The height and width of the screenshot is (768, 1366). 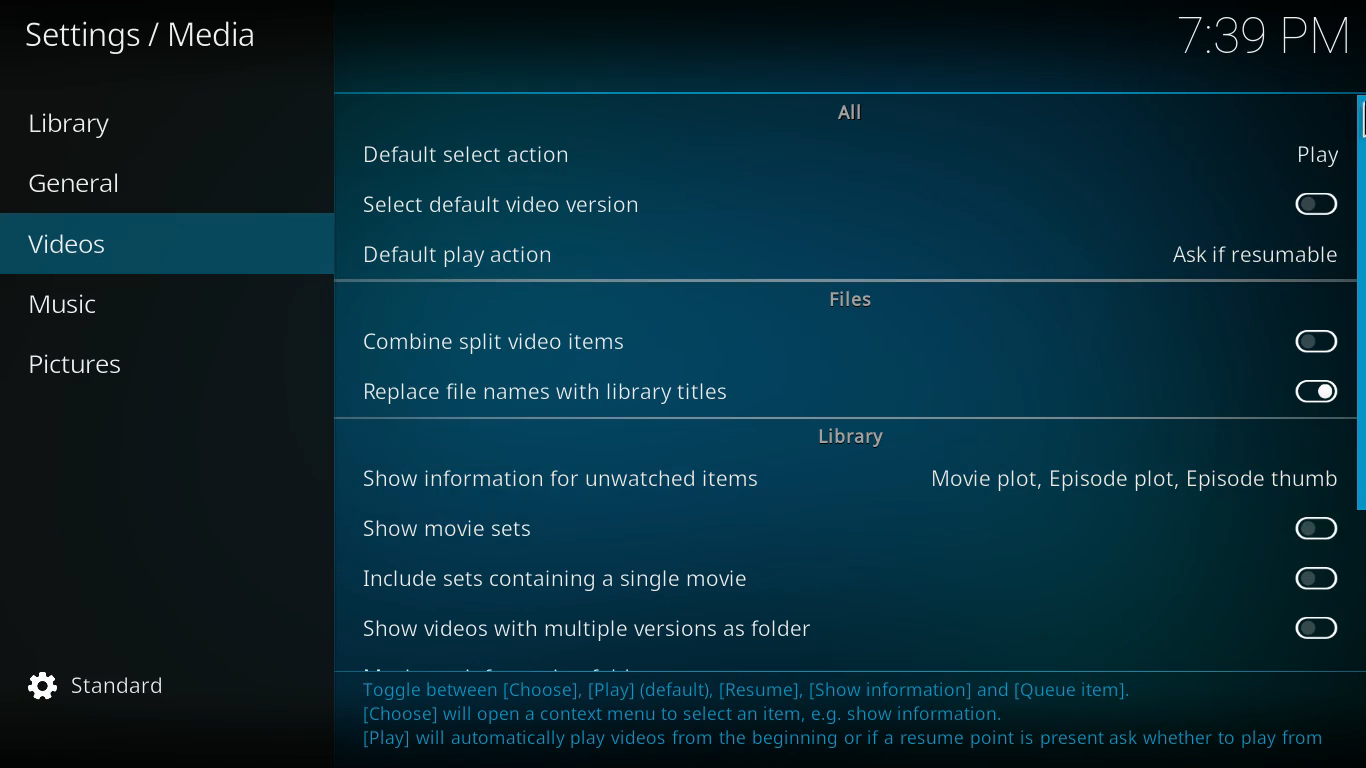 I want to click on scroll bar, so click(x=1359, y=302).